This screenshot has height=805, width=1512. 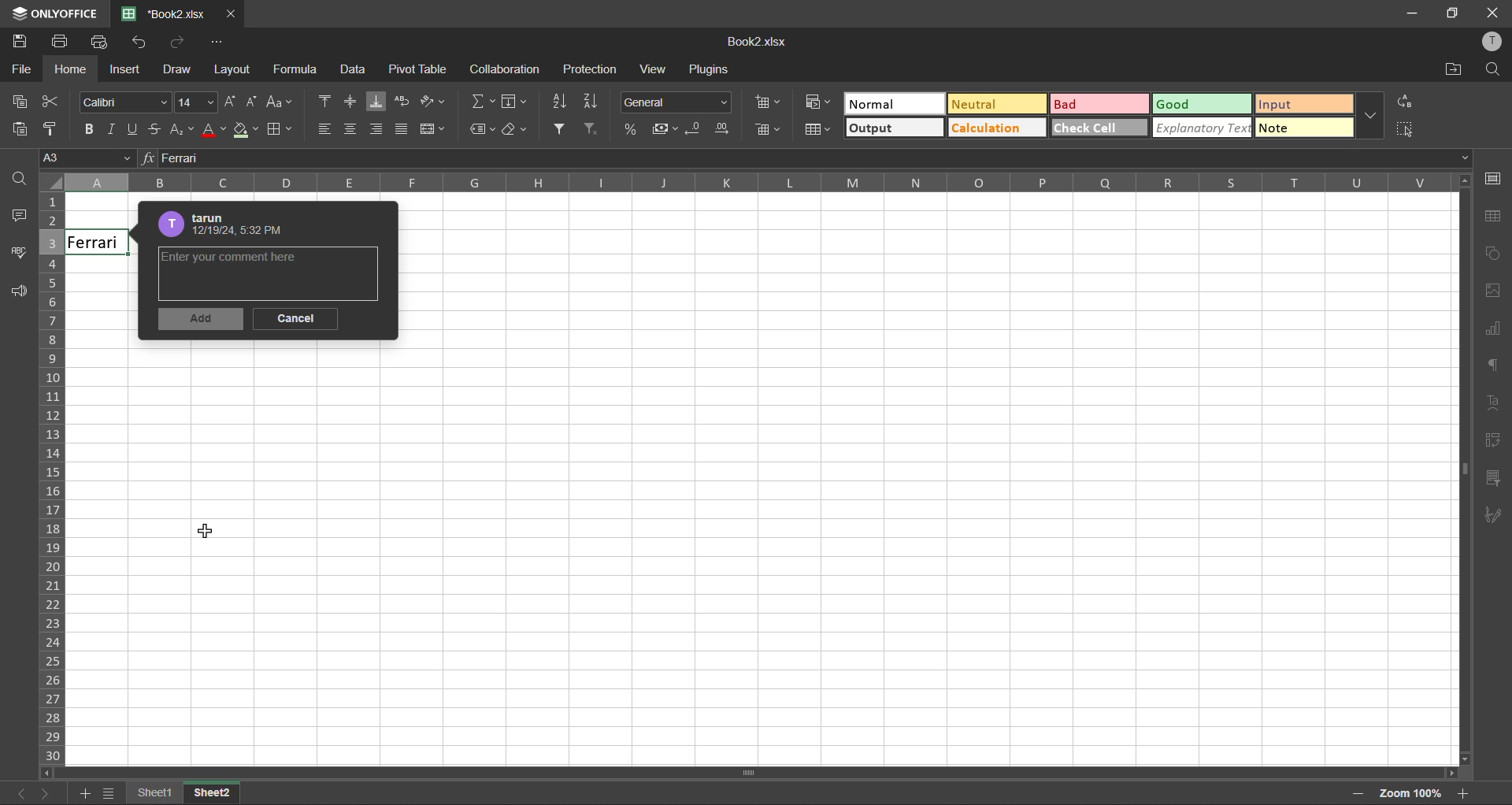 I want to click on print, so click(x=61, y=43).